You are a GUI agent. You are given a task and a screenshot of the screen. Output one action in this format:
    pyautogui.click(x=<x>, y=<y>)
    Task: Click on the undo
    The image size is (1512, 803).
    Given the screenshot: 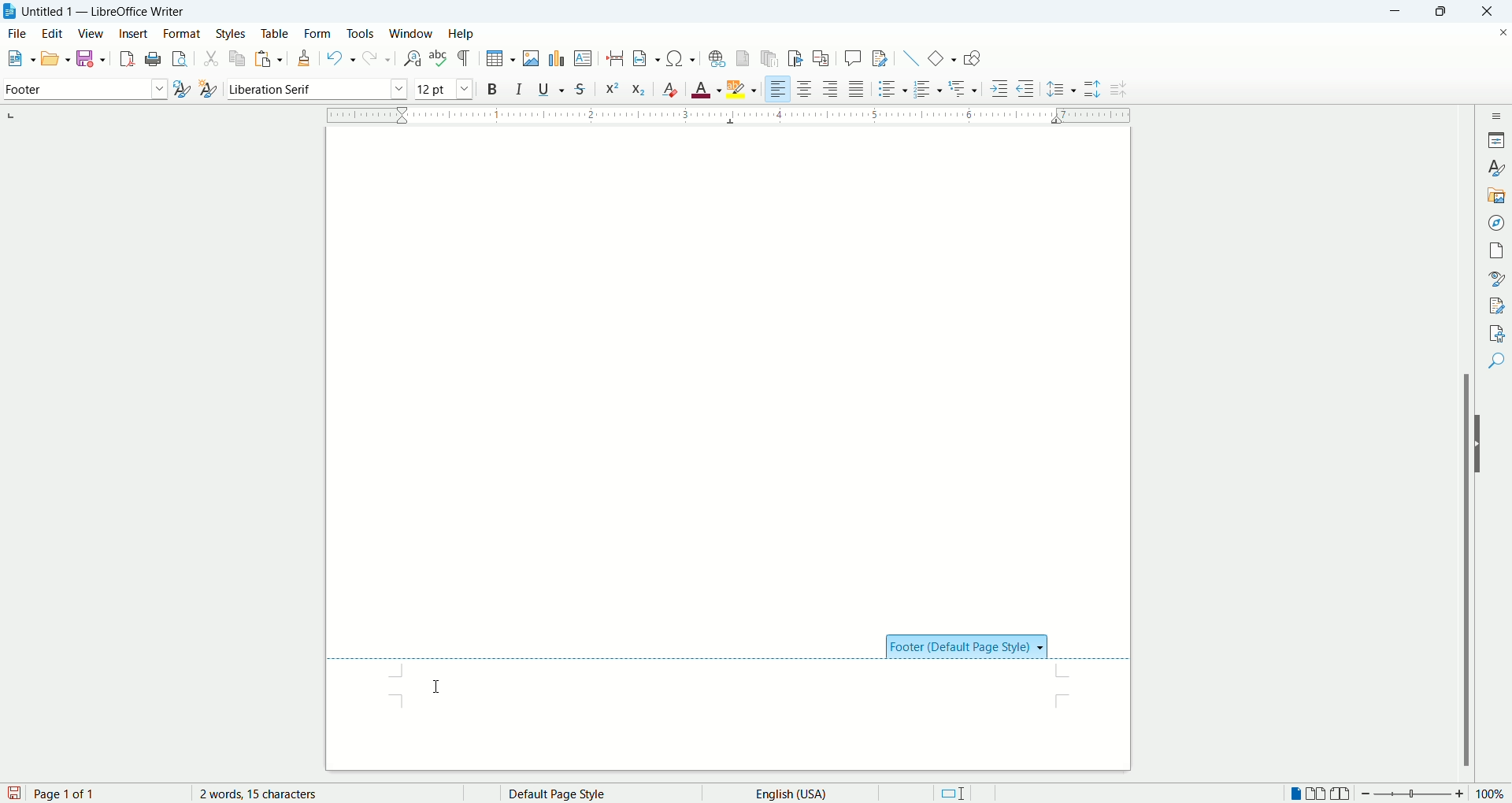 What is the action you would take?
    pyautogui.click(x=341, y=58)
    